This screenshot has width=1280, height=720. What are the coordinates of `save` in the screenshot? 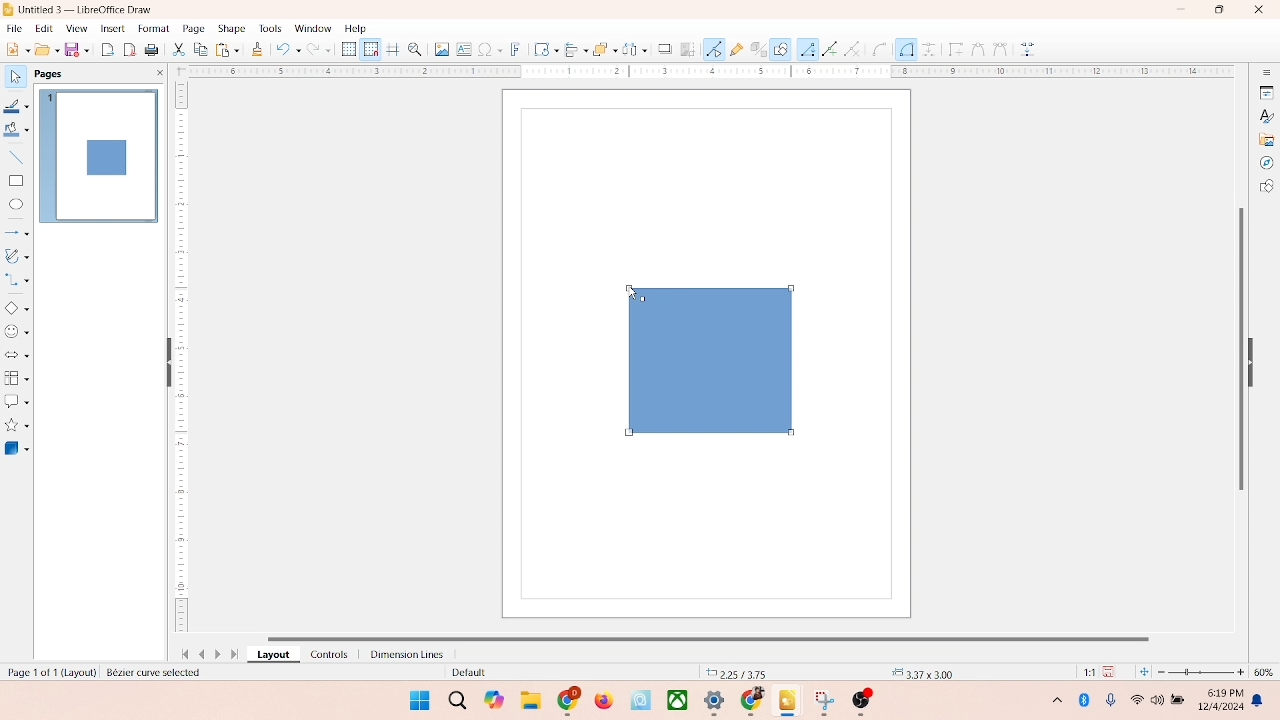 It's located at (1112, 671).